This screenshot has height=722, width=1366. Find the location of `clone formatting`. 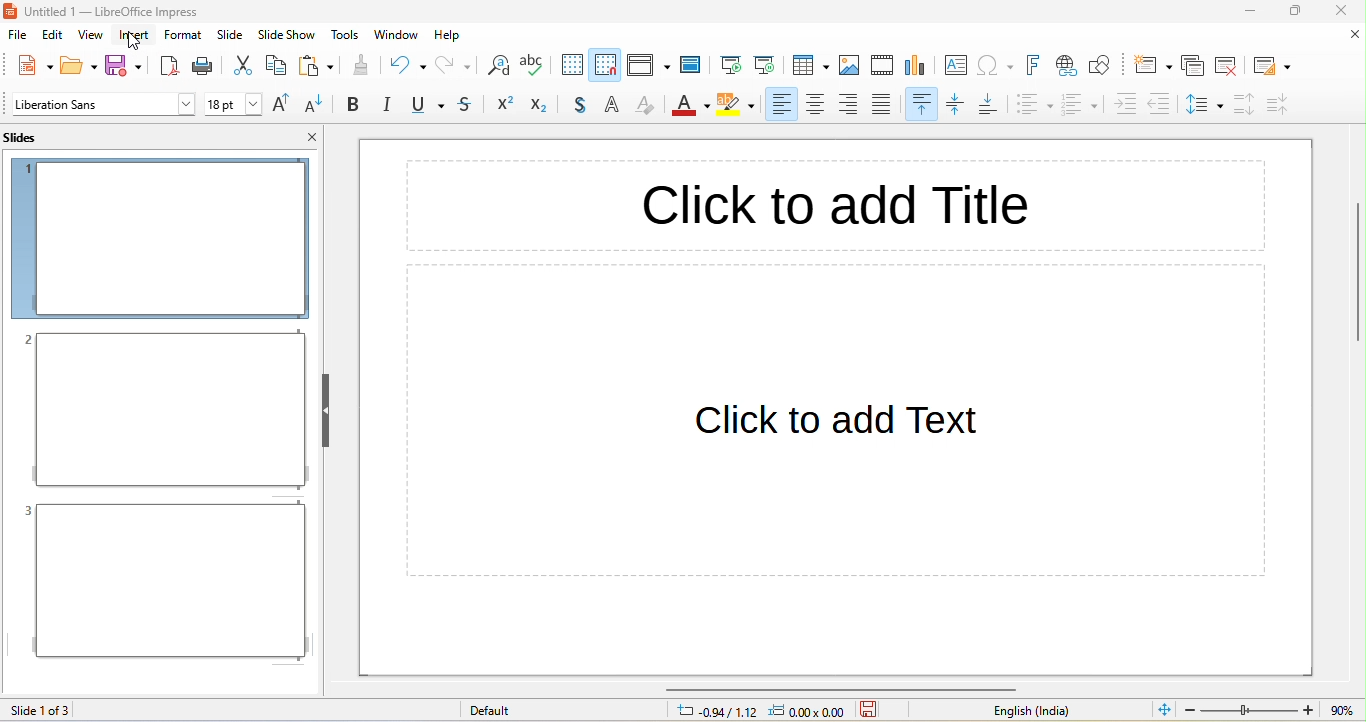

clone formatting is located at coordinates (361, 65).